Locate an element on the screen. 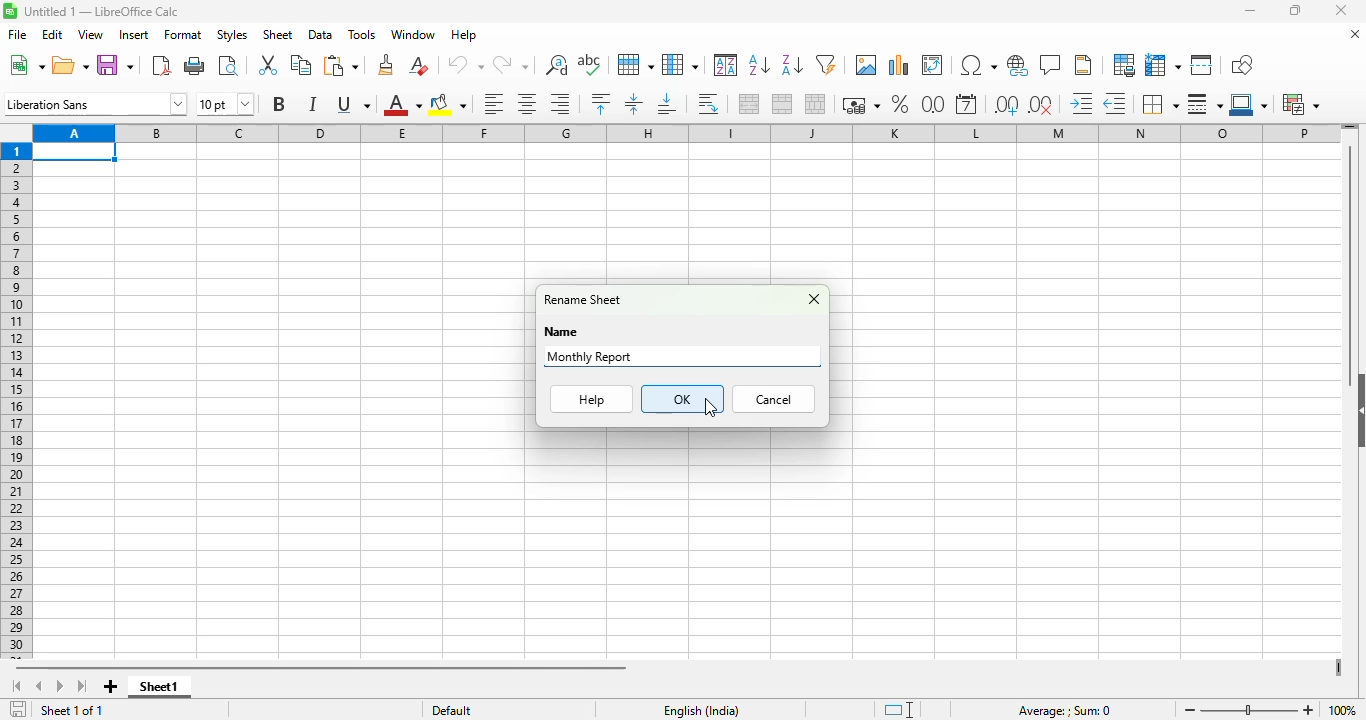 Image resolution: width=1366 pixels, height=720 pixels. save is located at coordinates (116, 65).